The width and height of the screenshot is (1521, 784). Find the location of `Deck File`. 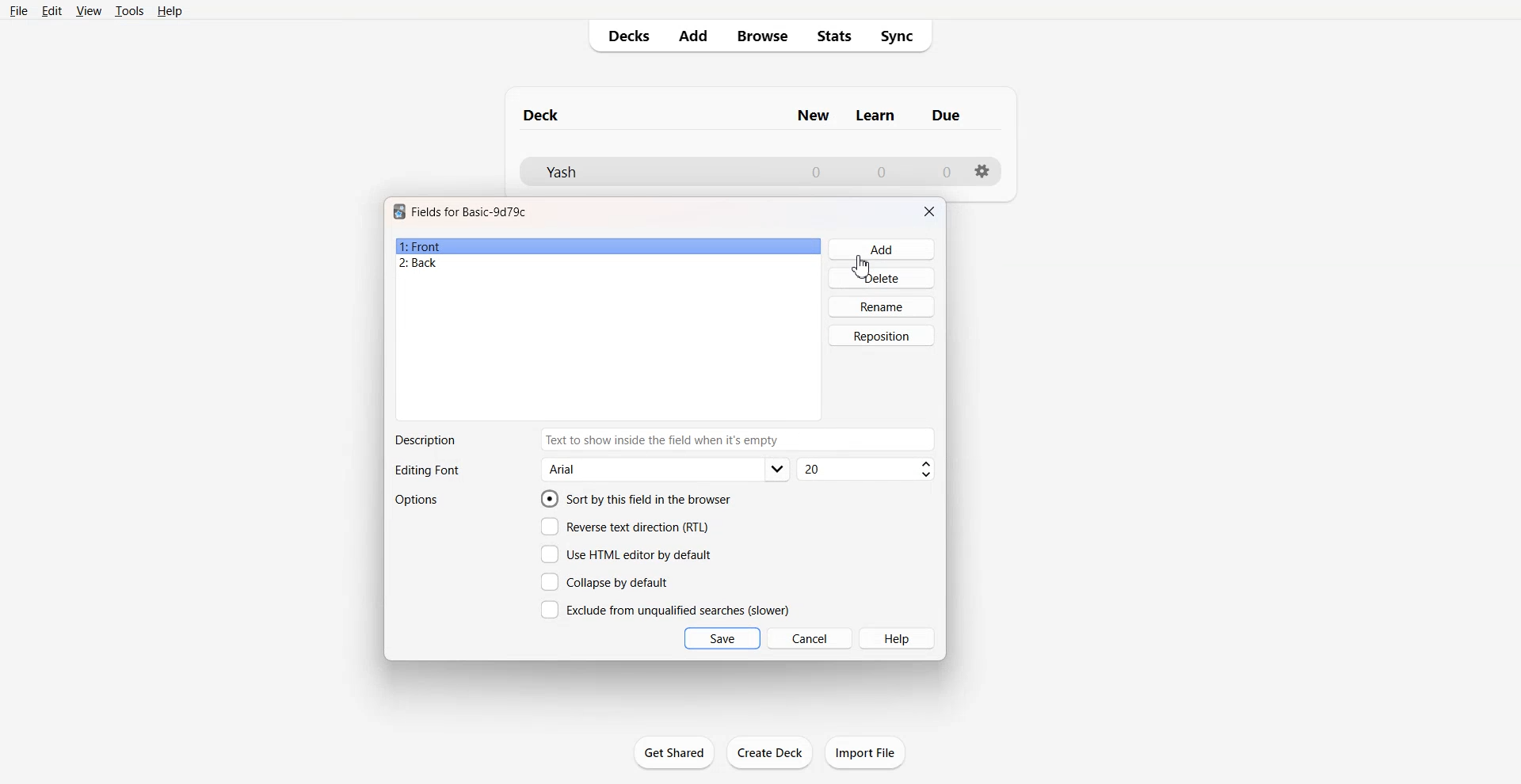

Deck File is located at coordinates (650, 172).